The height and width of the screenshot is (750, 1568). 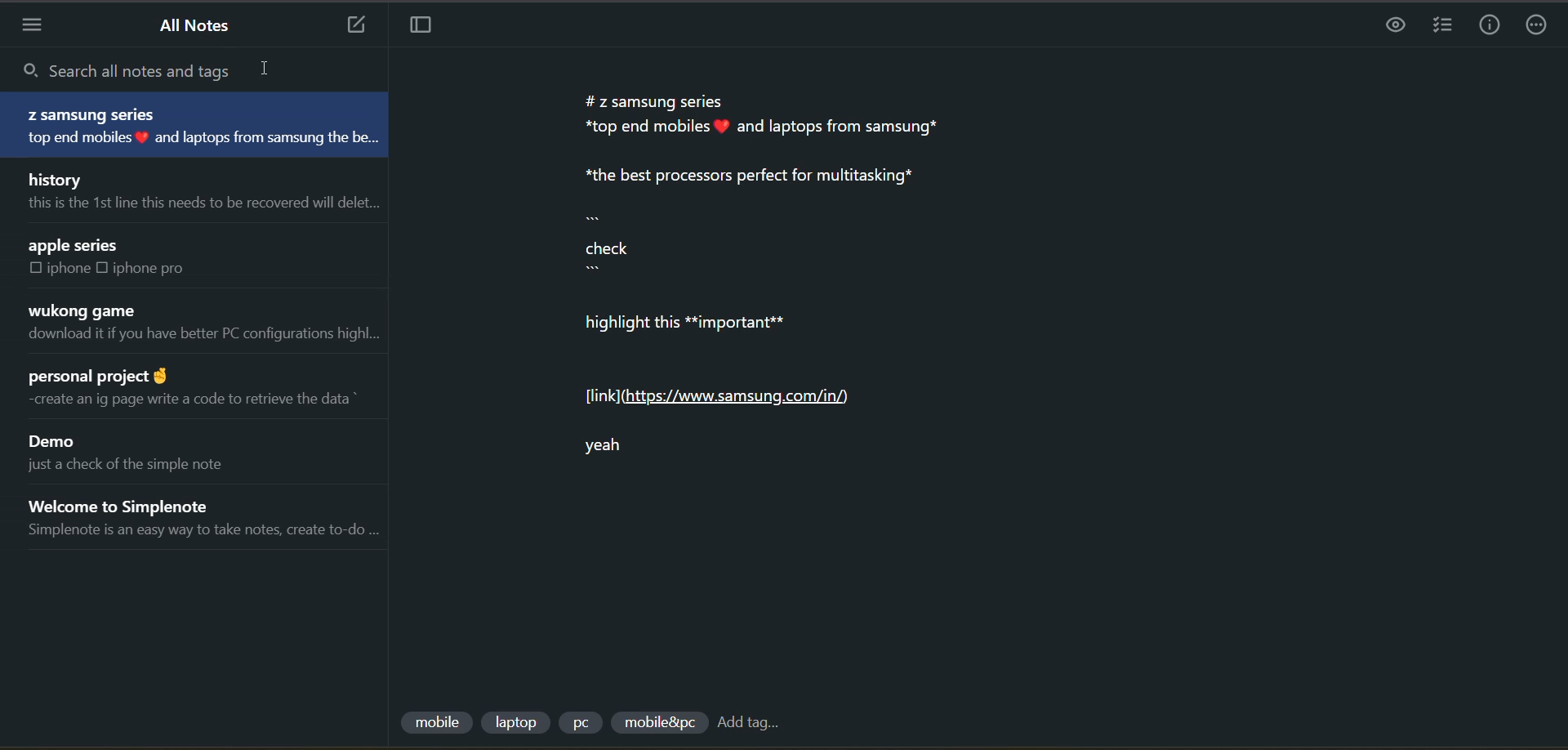 What do you see at coordinates (197, 25) in the screenshot?
I see `all notes` at bounding box center [197, 25].